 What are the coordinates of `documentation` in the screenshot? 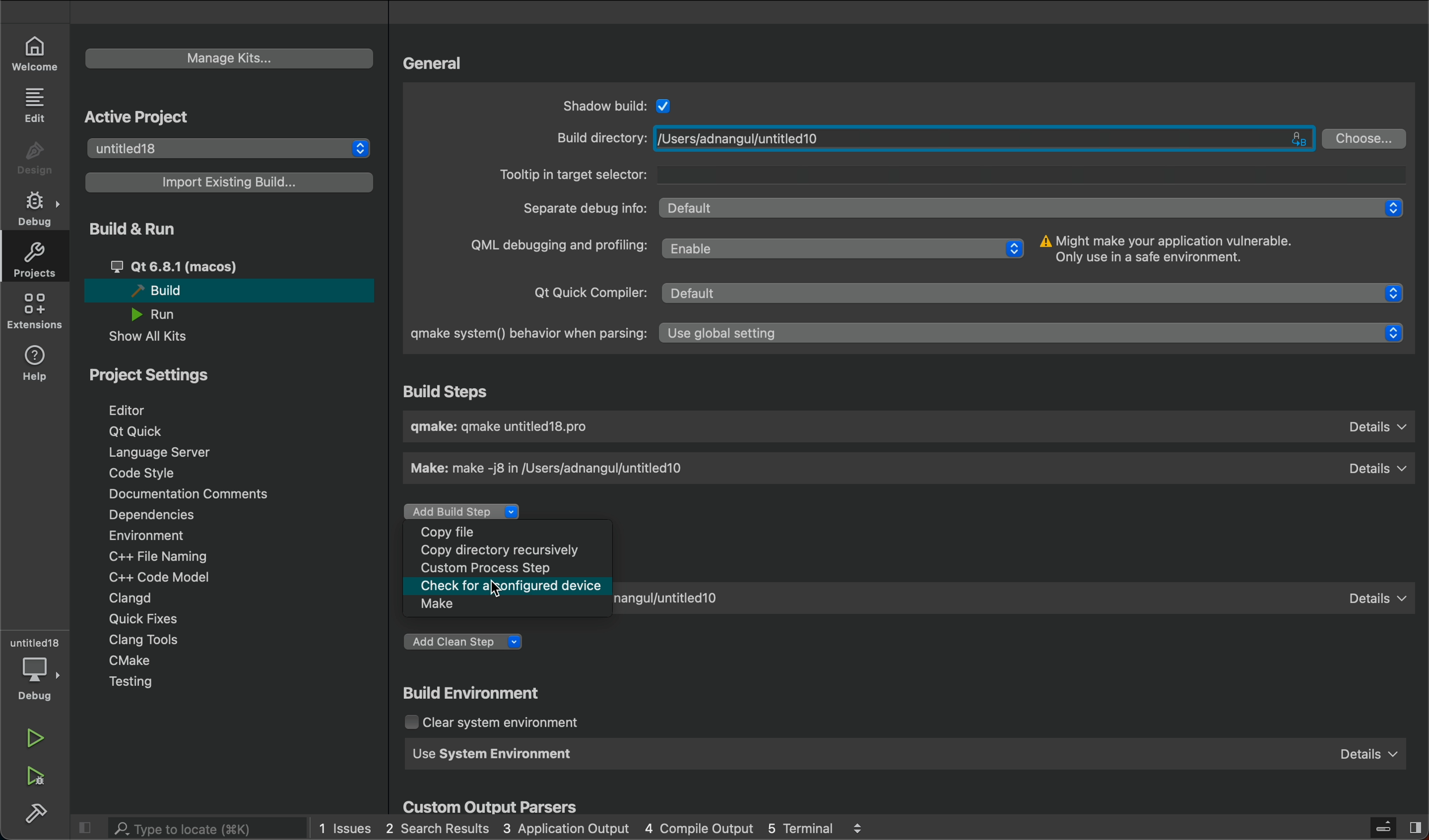 It's located at (200, 494).